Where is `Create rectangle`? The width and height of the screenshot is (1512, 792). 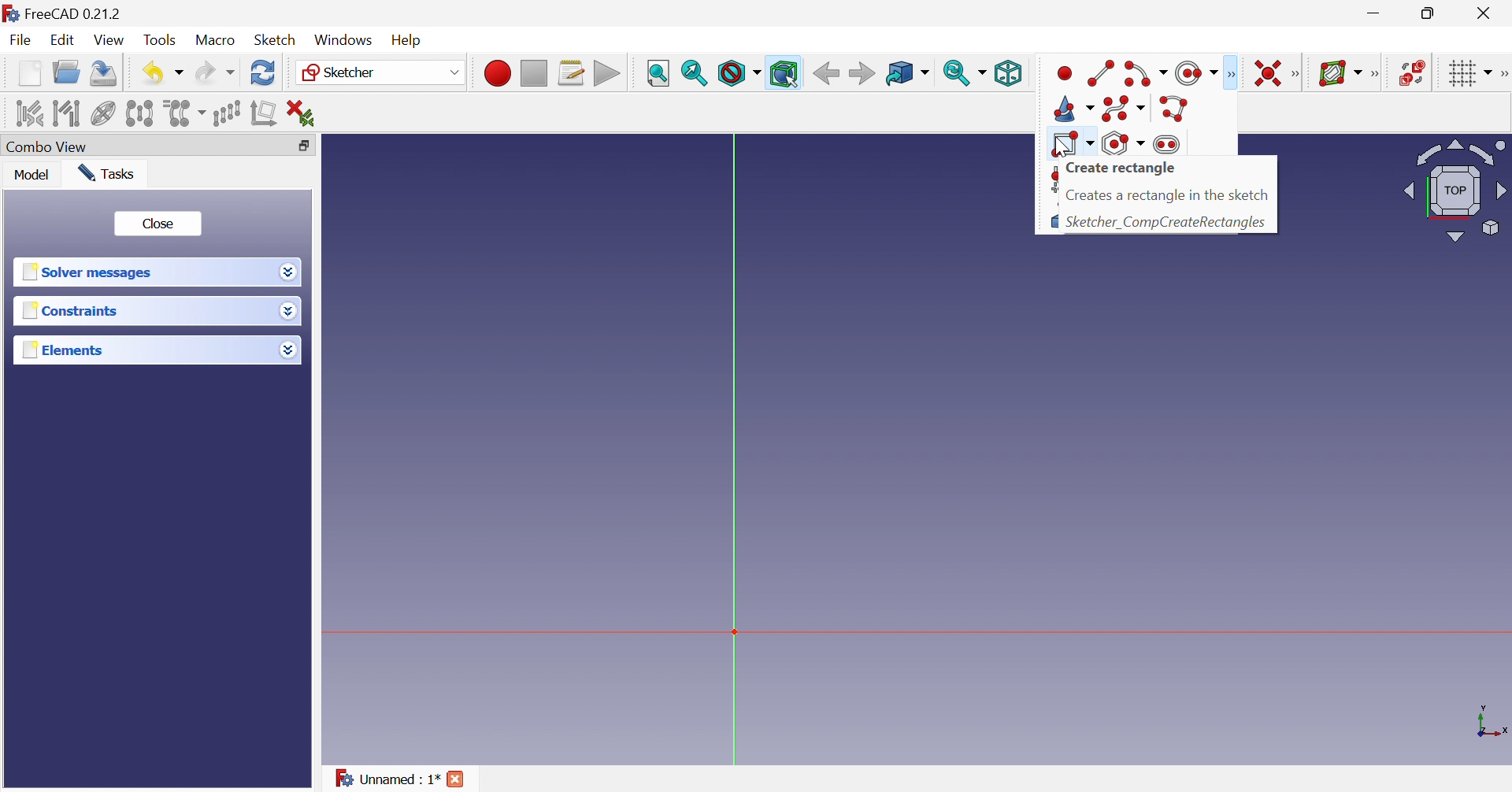 Create rectangle is located at coordinates (1073, 143).